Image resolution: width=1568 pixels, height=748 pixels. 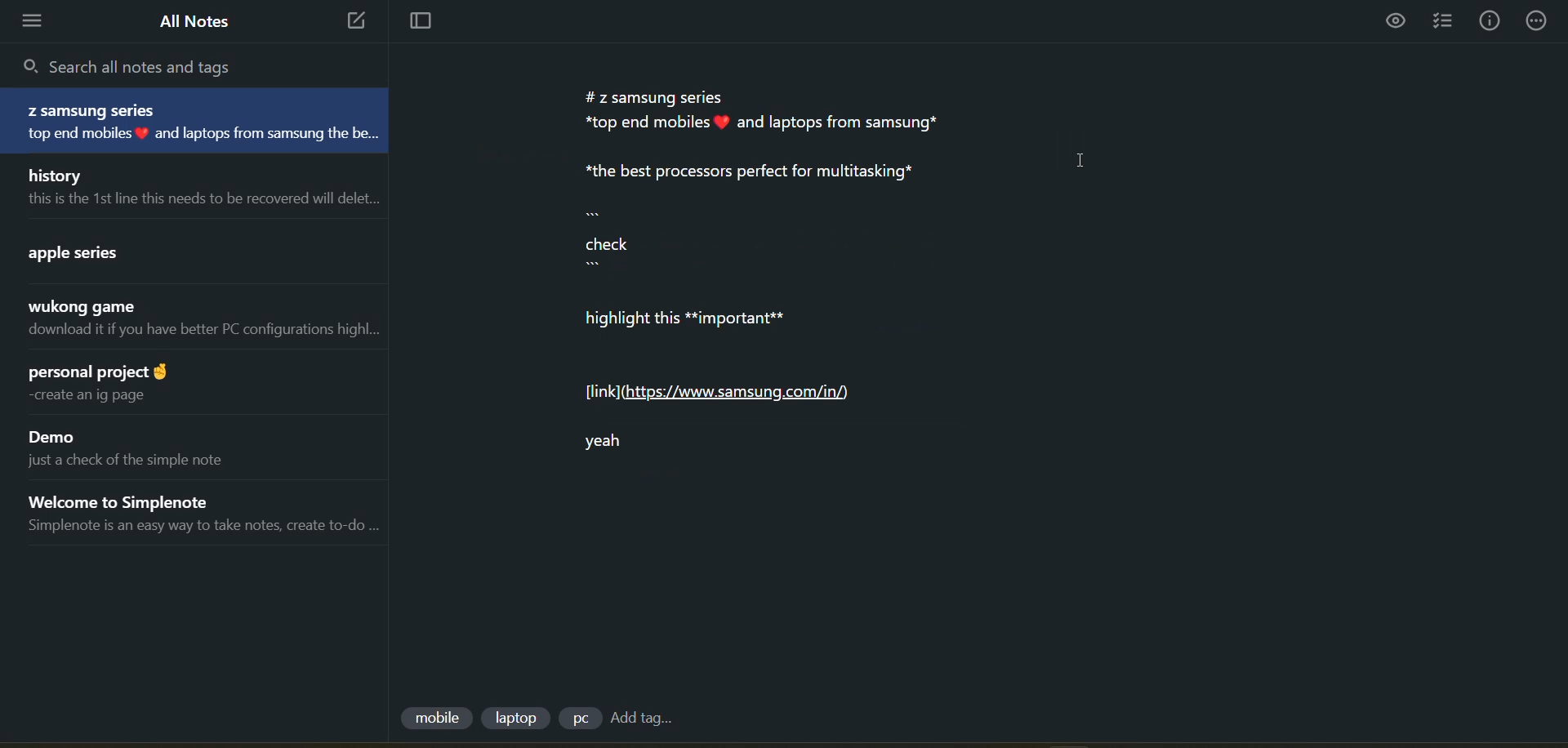 I want to click on note title and preview, so click(x=196, y=382).